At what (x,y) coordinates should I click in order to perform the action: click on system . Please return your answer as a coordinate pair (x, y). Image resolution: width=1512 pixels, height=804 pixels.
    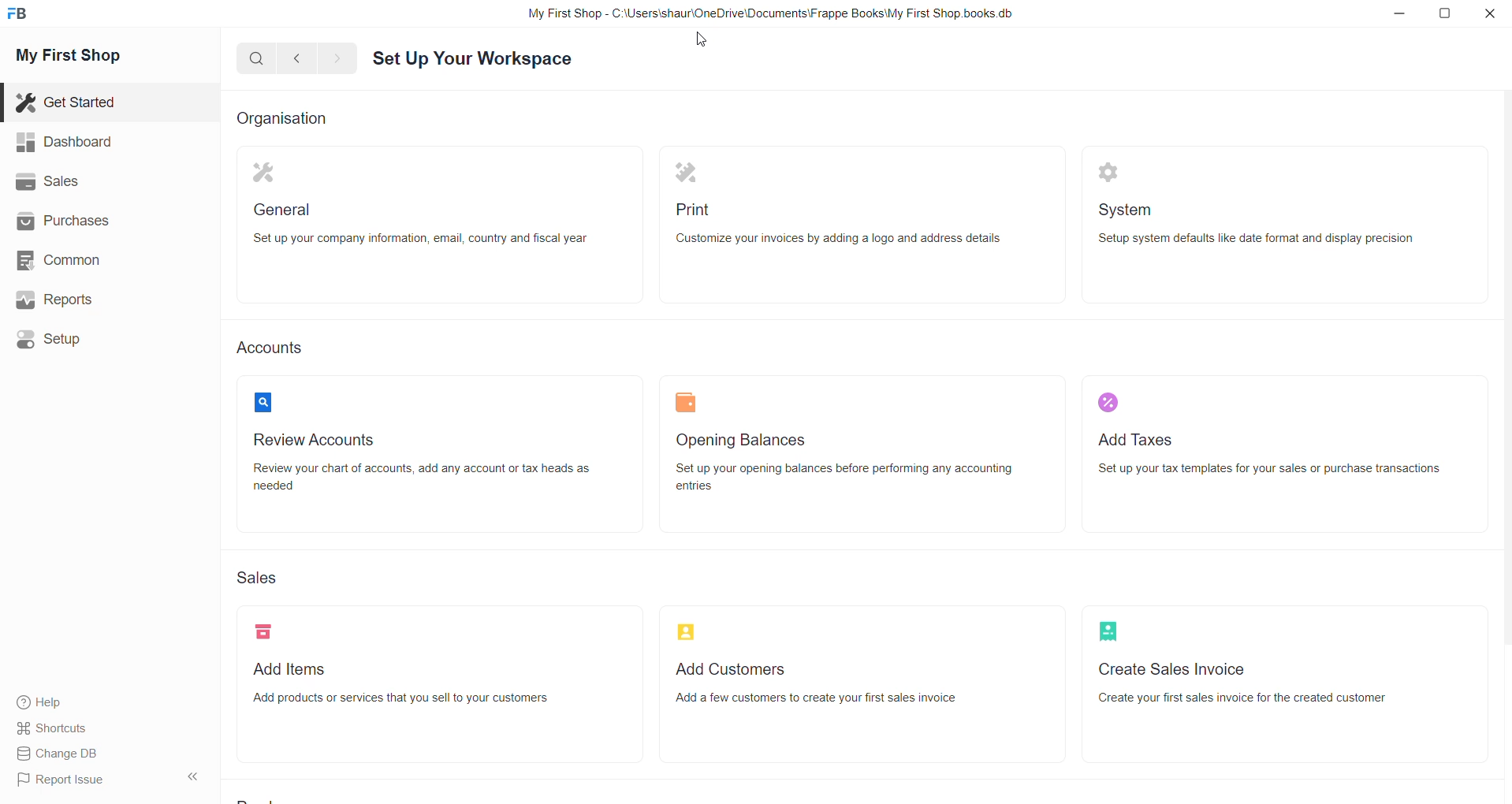
    Looking at the image, I should click on (1264, 200).